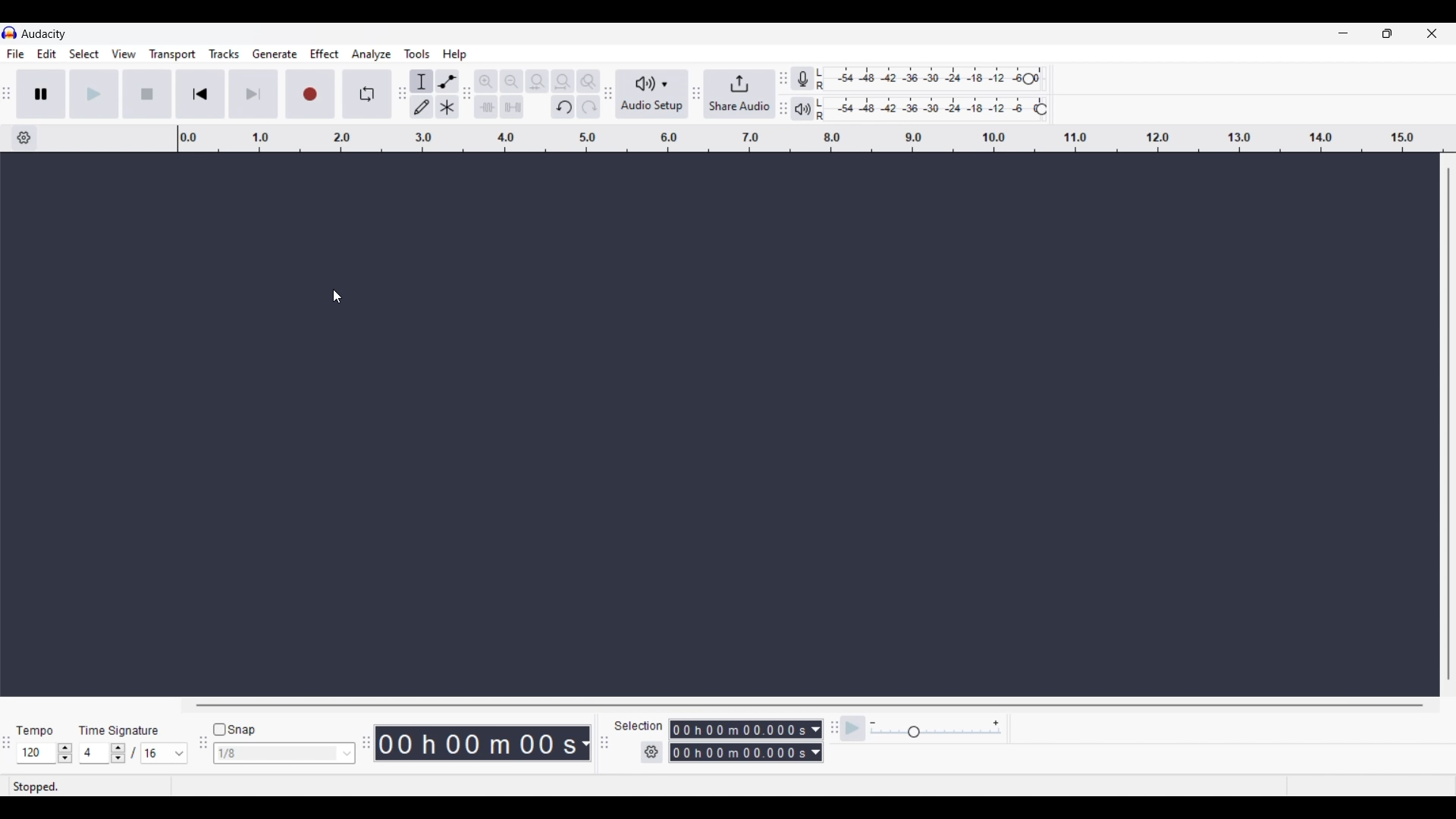 This screenshot has height=819, width=1456. I want to click on Undo, so click(563, 107).